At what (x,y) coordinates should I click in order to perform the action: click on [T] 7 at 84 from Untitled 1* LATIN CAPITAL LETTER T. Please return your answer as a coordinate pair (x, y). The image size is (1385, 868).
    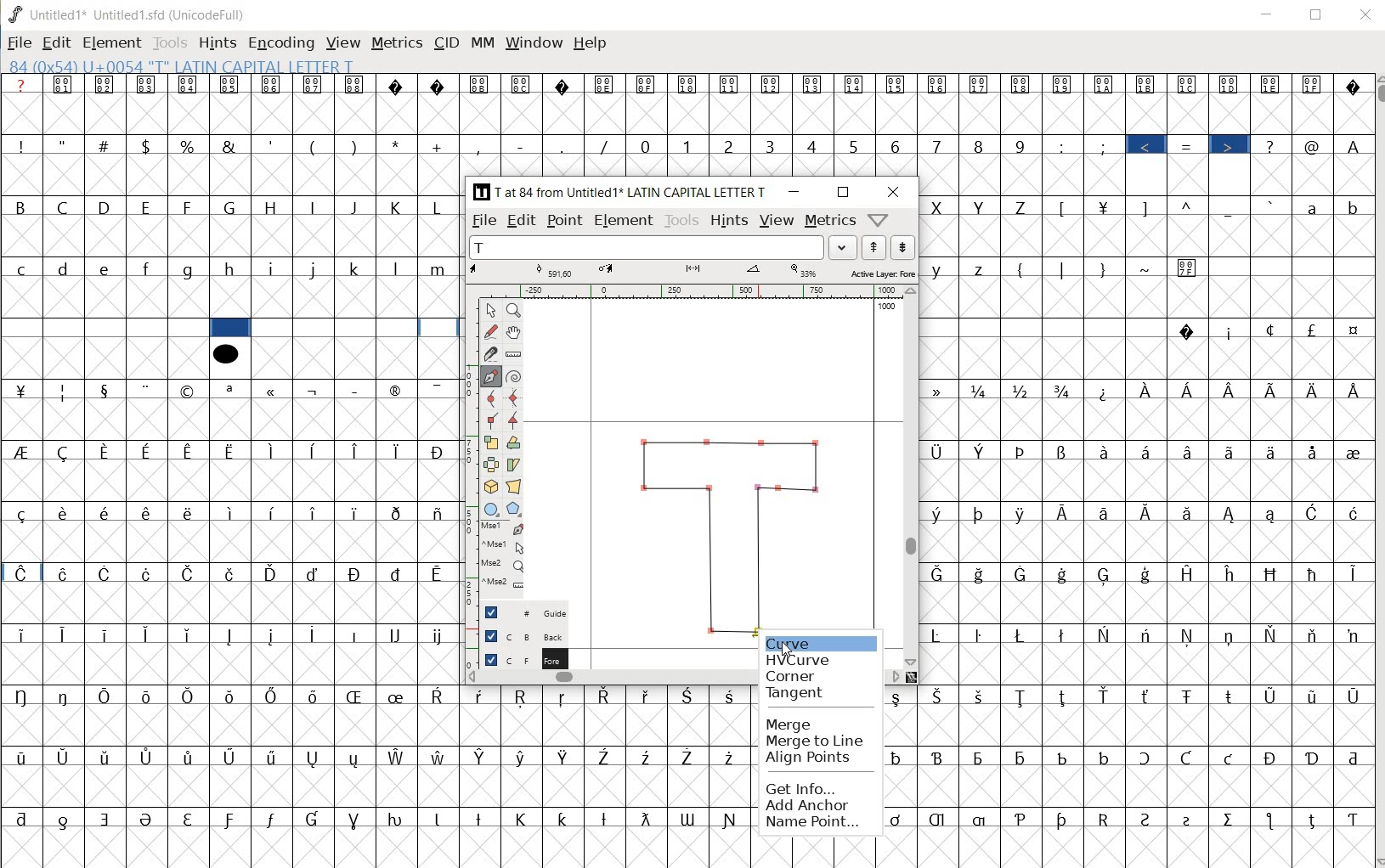
    Looking at the image, I should click on (624, 192).